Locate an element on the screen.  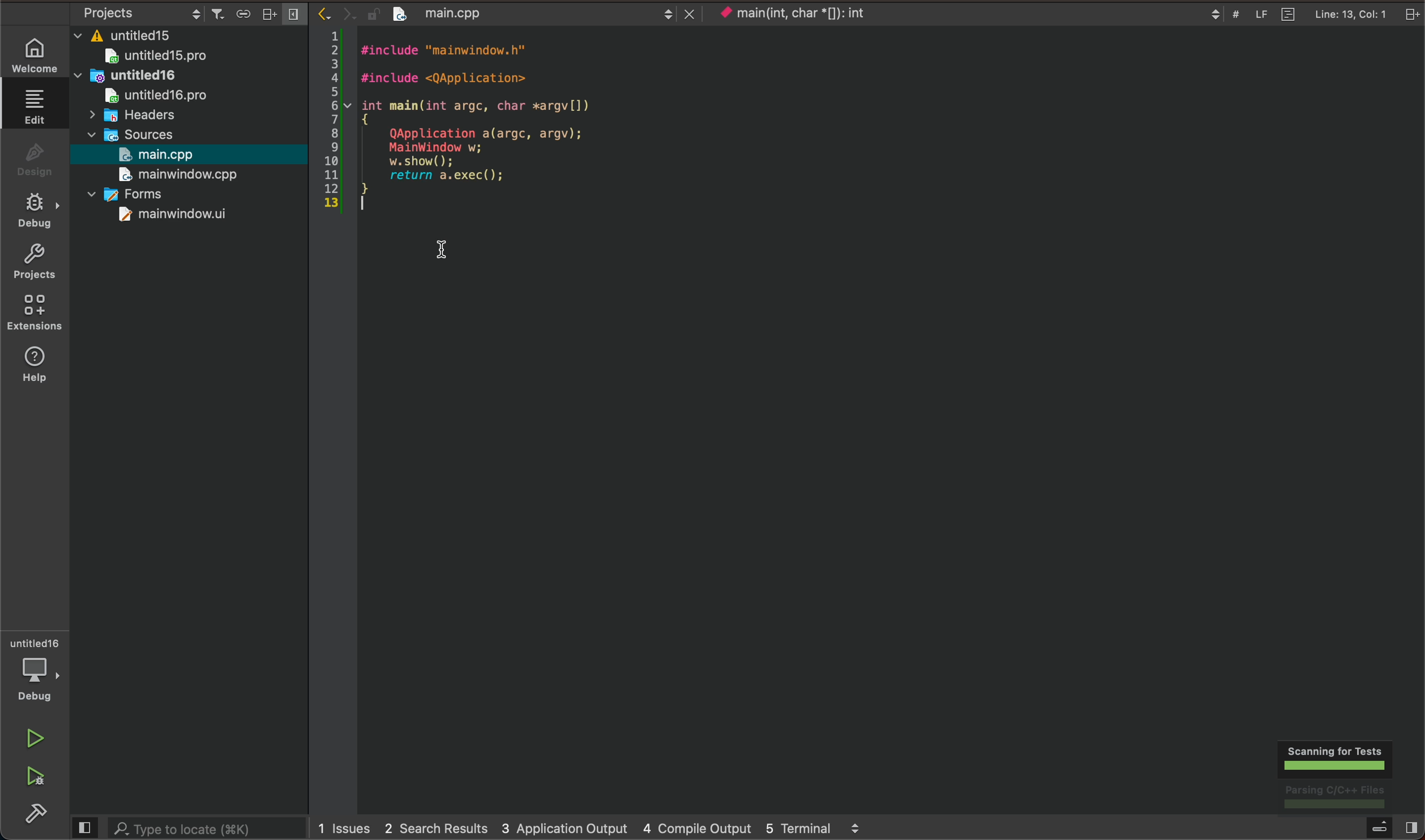
forms is located at coordinates (136, 192).